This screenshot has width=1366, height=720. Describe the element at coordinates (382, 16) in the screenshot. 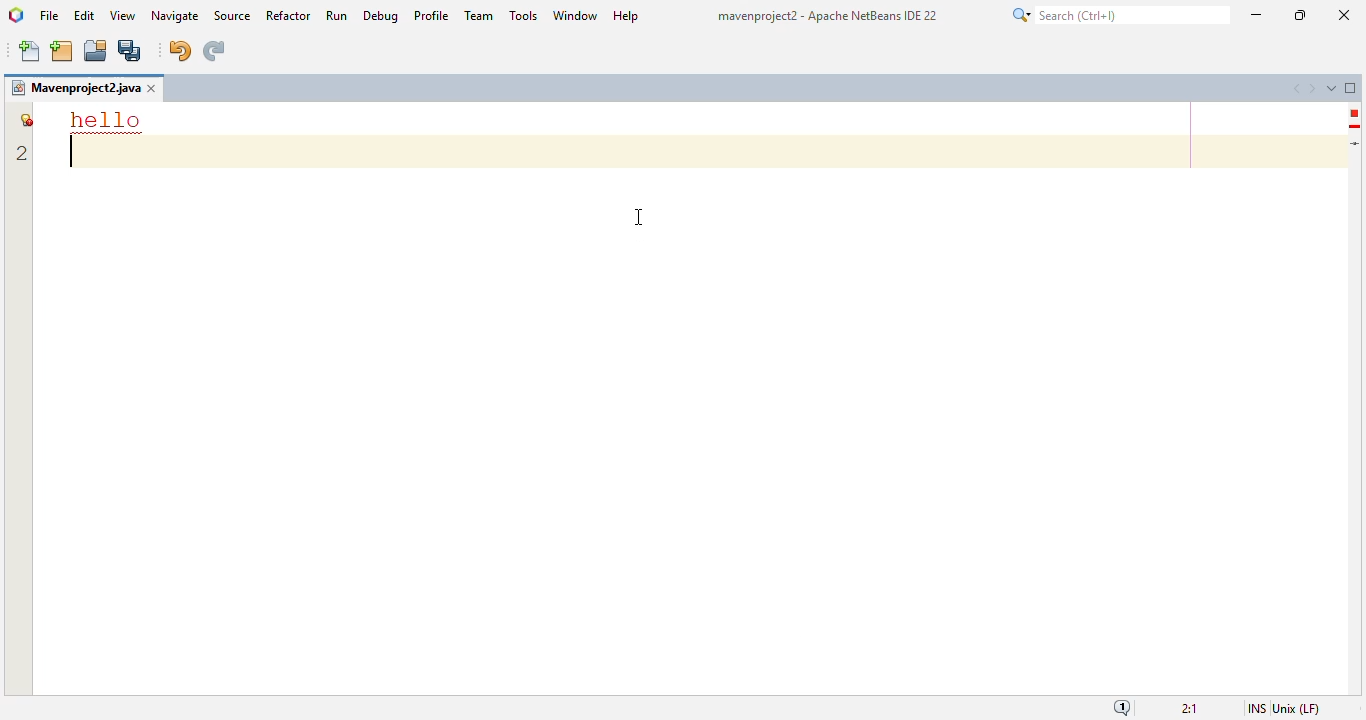

I see `debug` at that location.